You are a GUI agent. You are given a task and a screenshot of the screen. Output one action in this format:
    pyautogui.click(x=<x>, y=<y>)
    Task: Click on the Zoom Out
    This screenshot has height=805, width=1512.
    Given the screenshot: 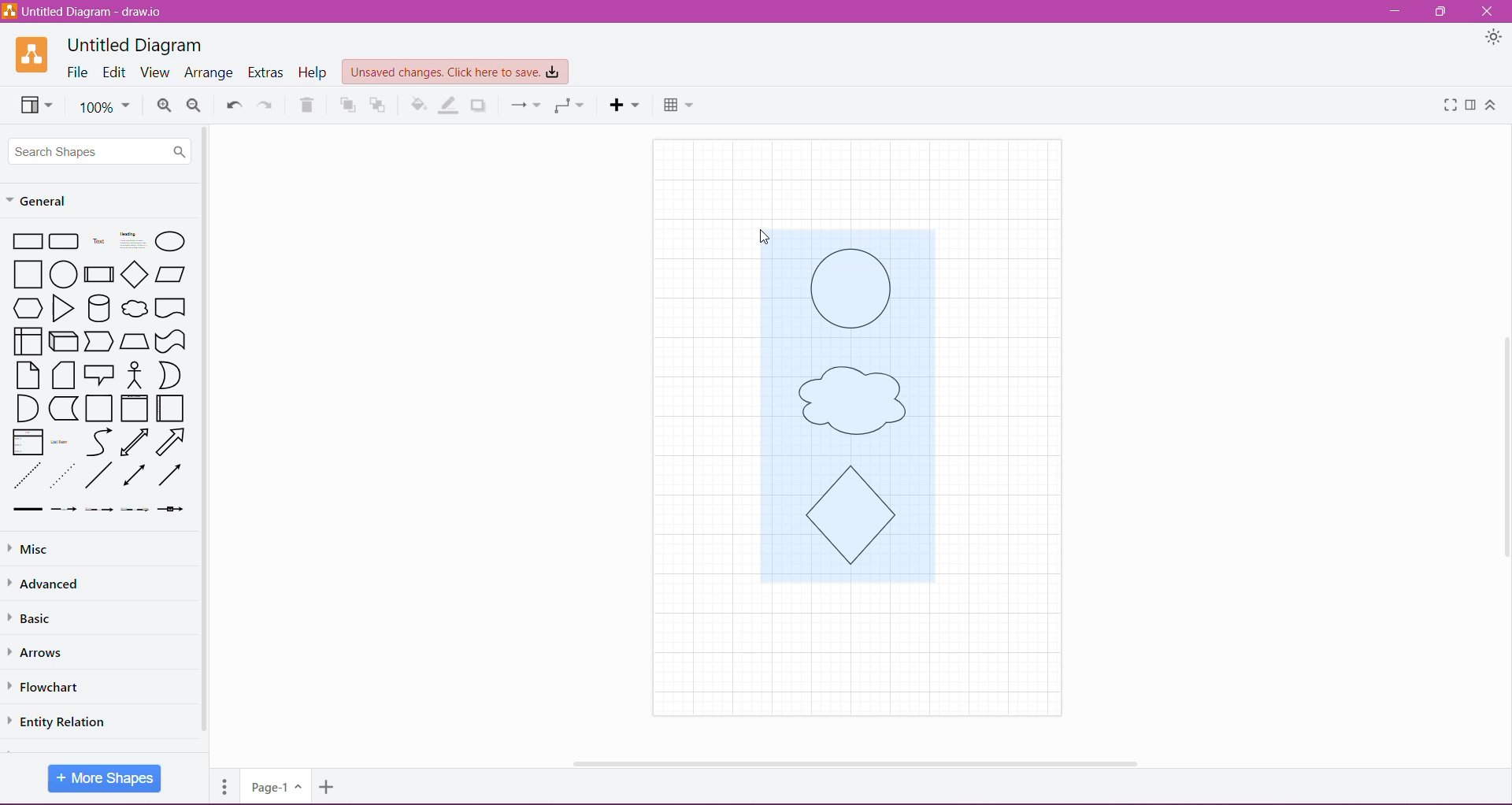 What is the action you would take?
    pyautogui.click(x=195, y=106)
    